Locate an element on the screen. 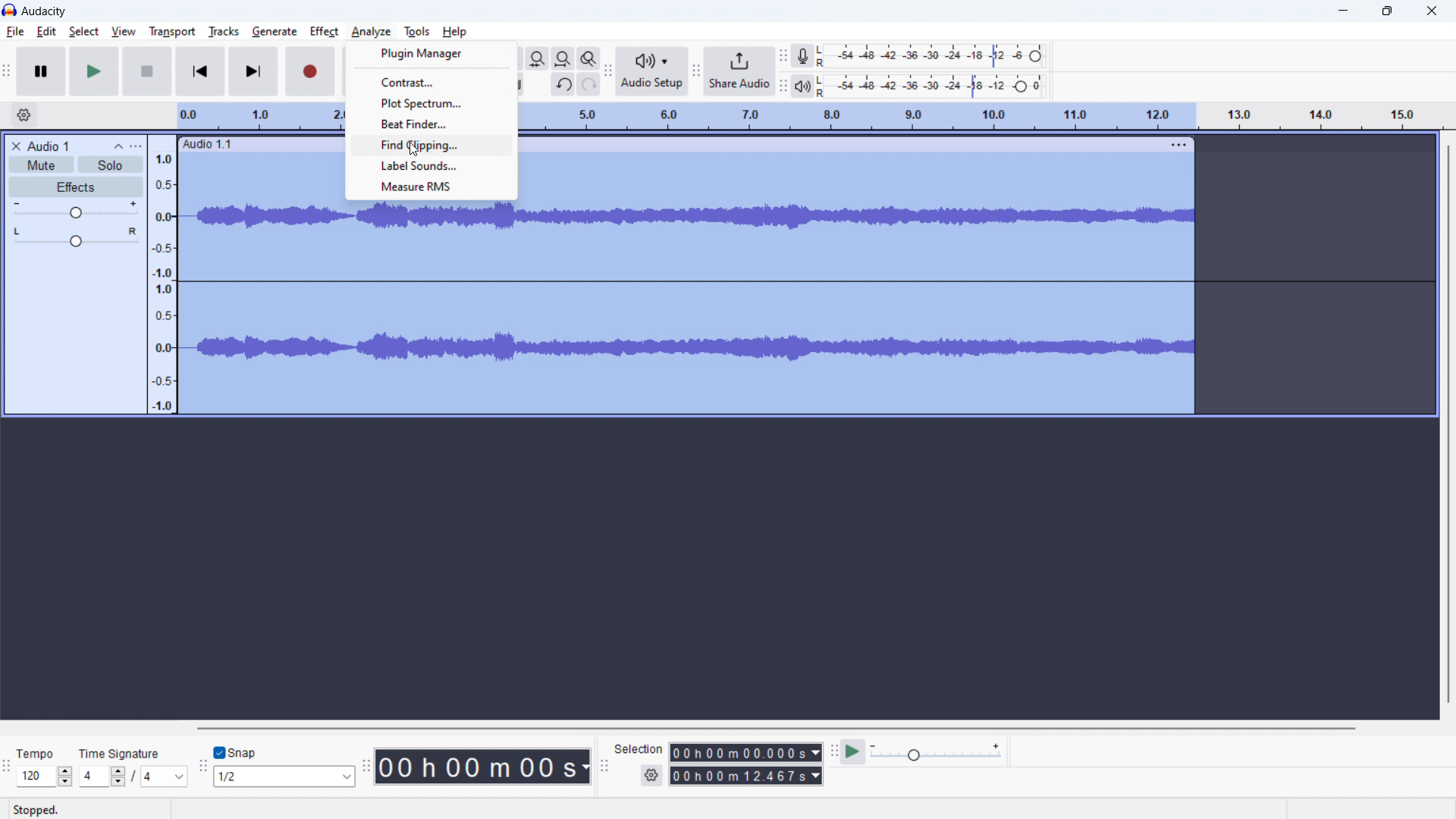 This screenshot has width=1456, height=819. Stopped is located at coordinates (38, 810).